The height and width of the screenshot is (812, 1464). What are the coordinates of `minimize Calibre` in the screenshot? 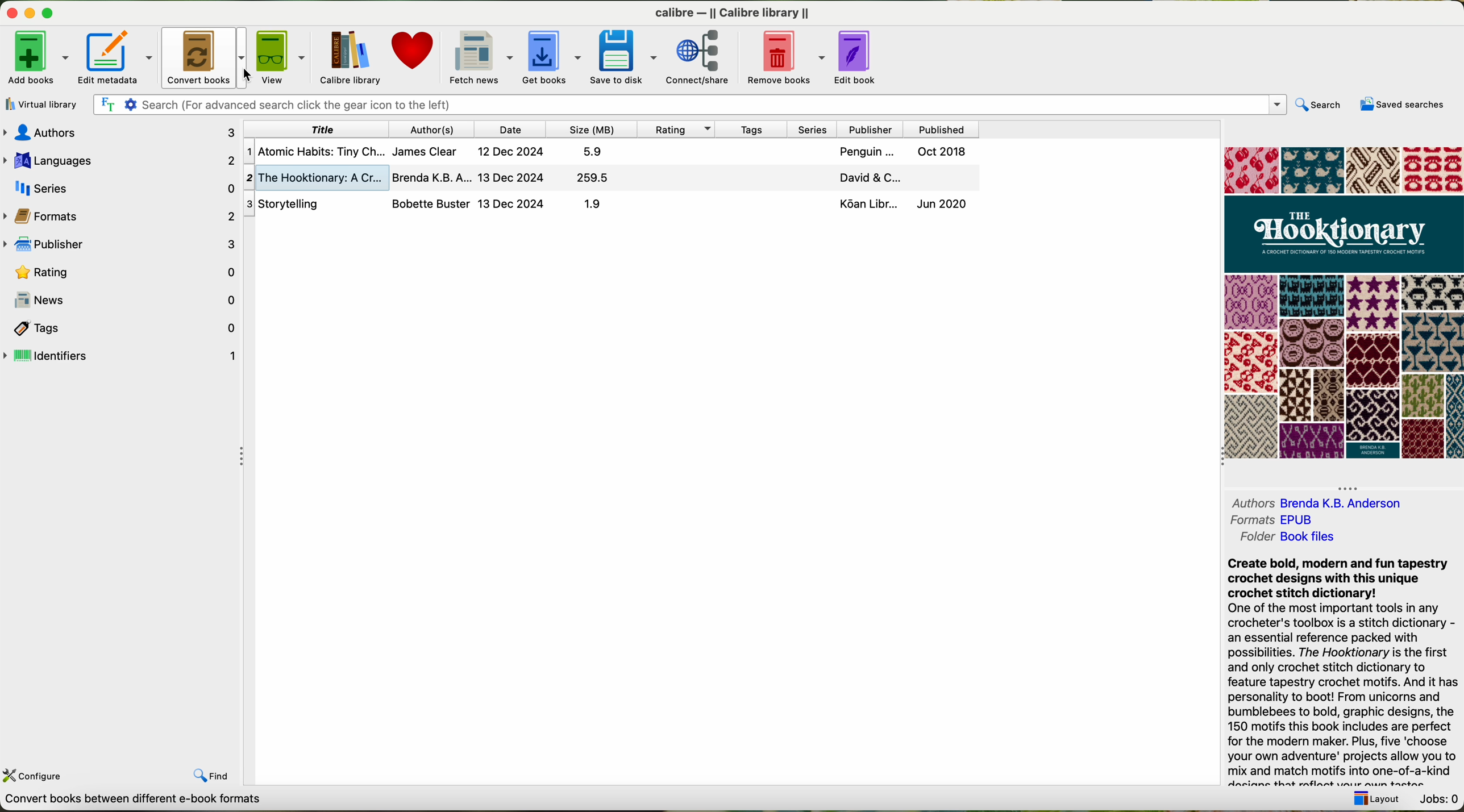 It's located at (30, 14).